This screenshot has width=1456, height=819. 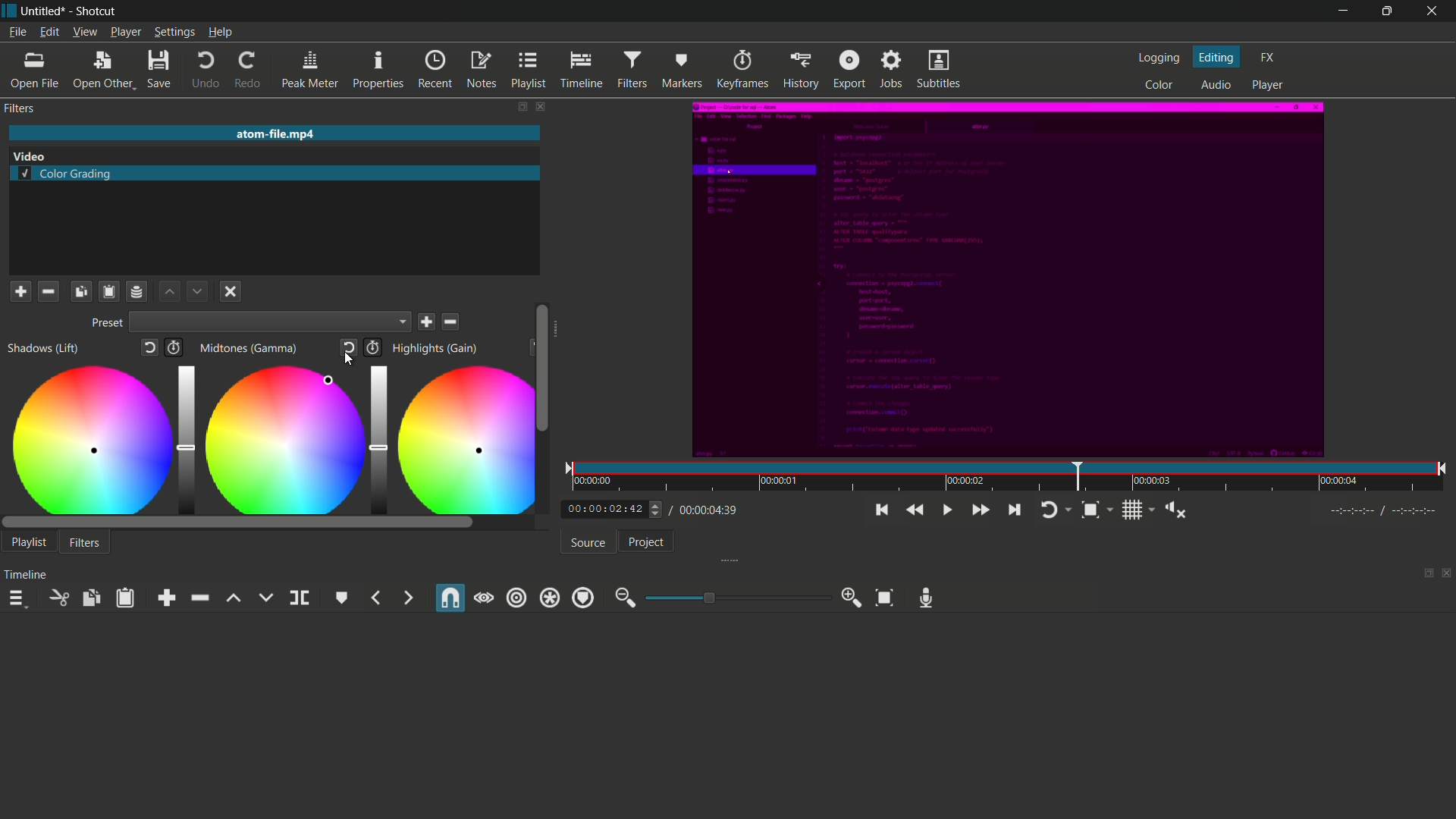 What do you see at coordinates (57, 598) in the screenshot?
I see `cut` at bounding box center [57, 598].